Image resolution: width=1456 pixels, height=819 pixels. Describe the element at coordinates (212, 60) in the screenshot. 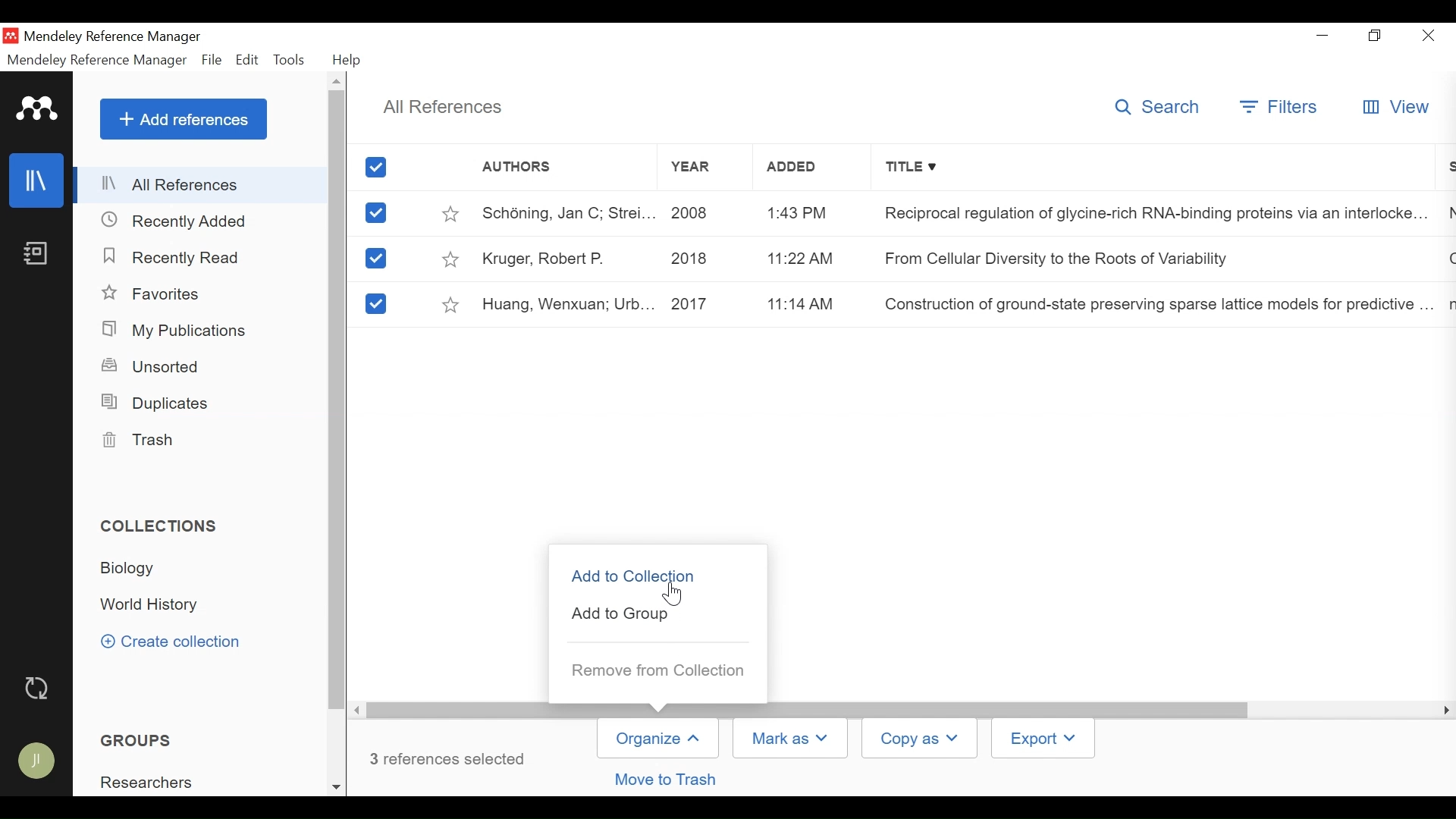

I see `File` at that location.